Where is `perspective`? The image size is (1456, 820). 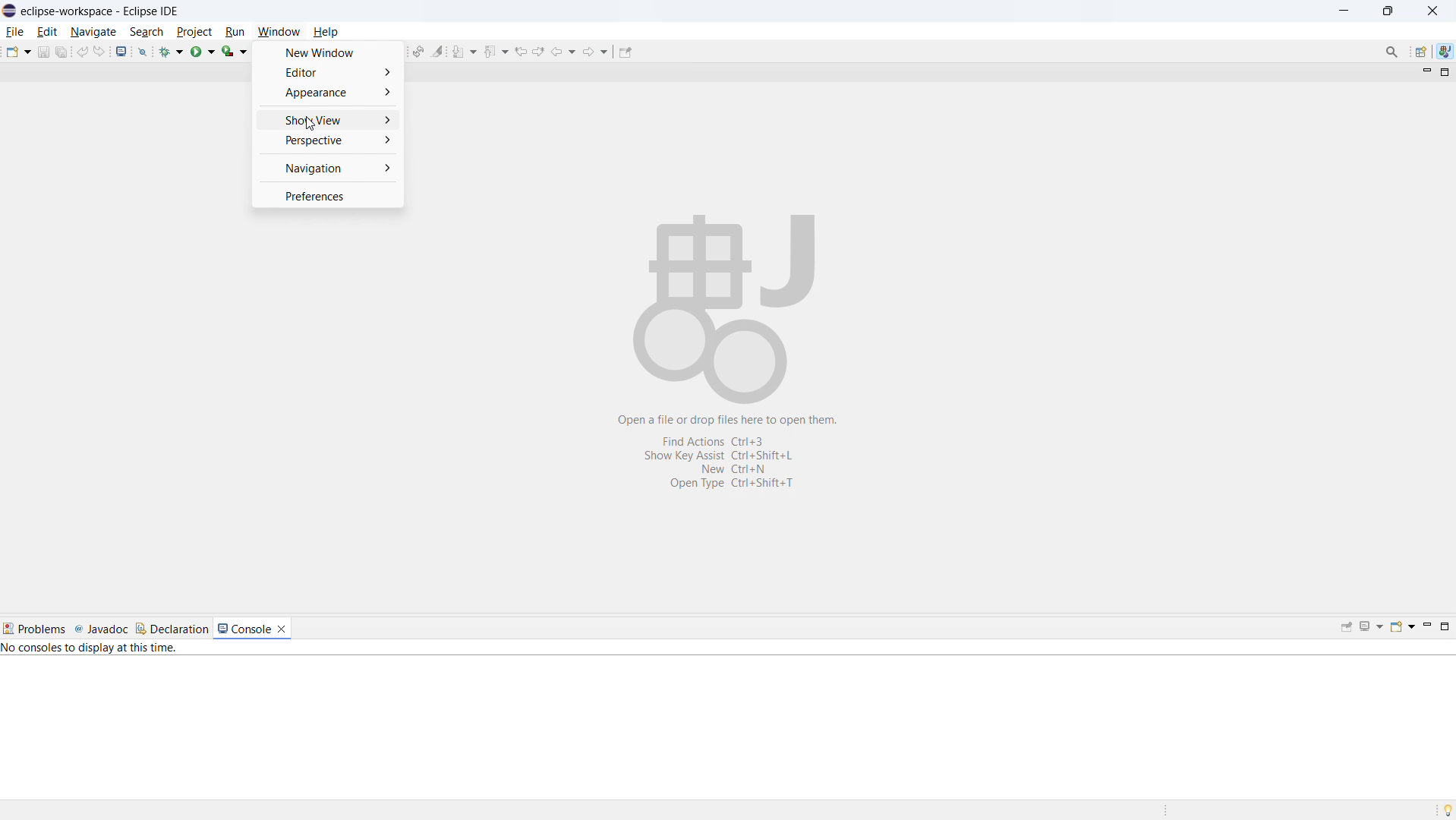
perspective is located at coordinates (326, 140).